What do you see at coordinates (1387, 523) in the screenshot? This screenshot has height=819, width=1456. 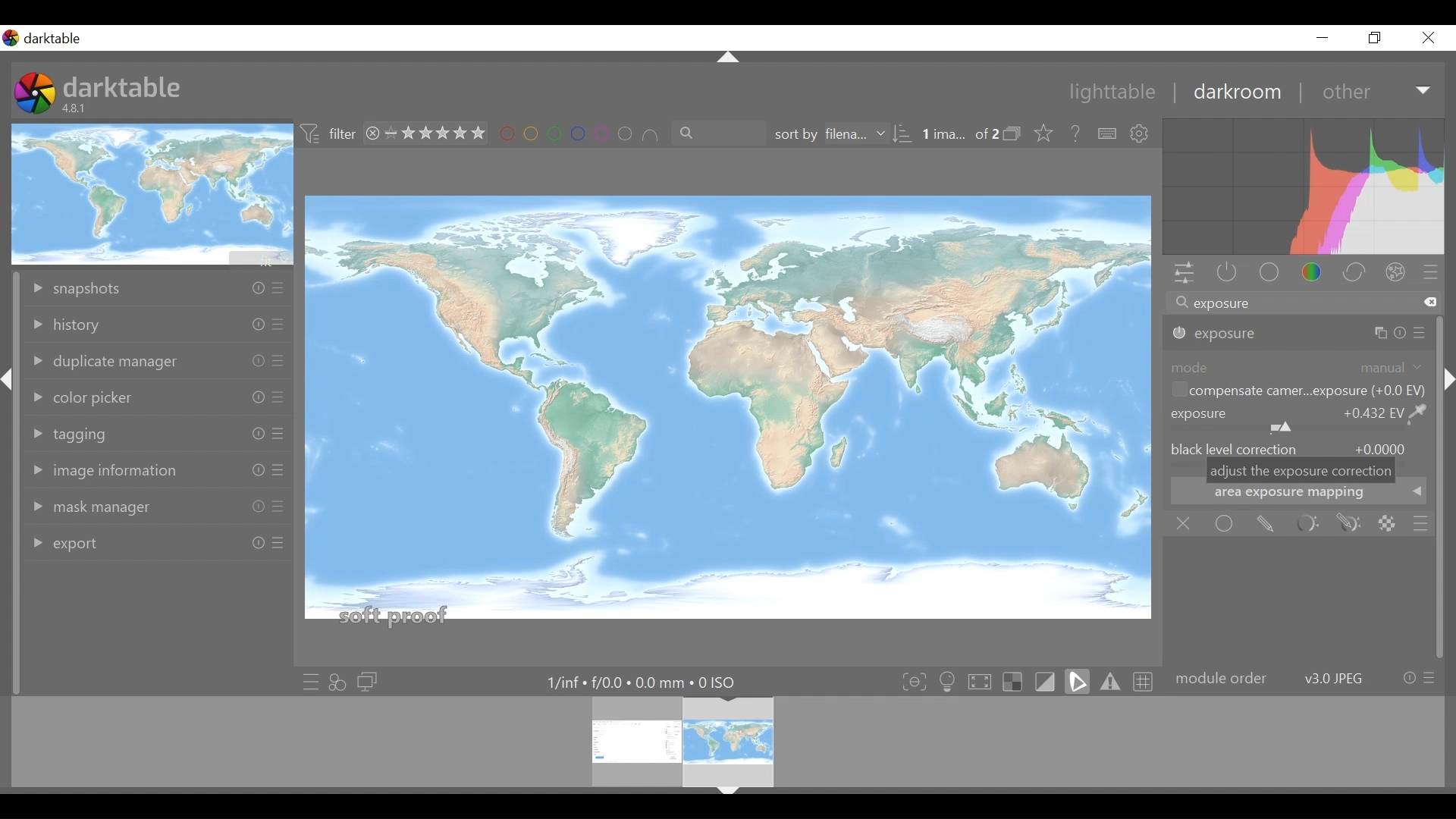 I see `raster mask ` at bounding box center [1387, 523].